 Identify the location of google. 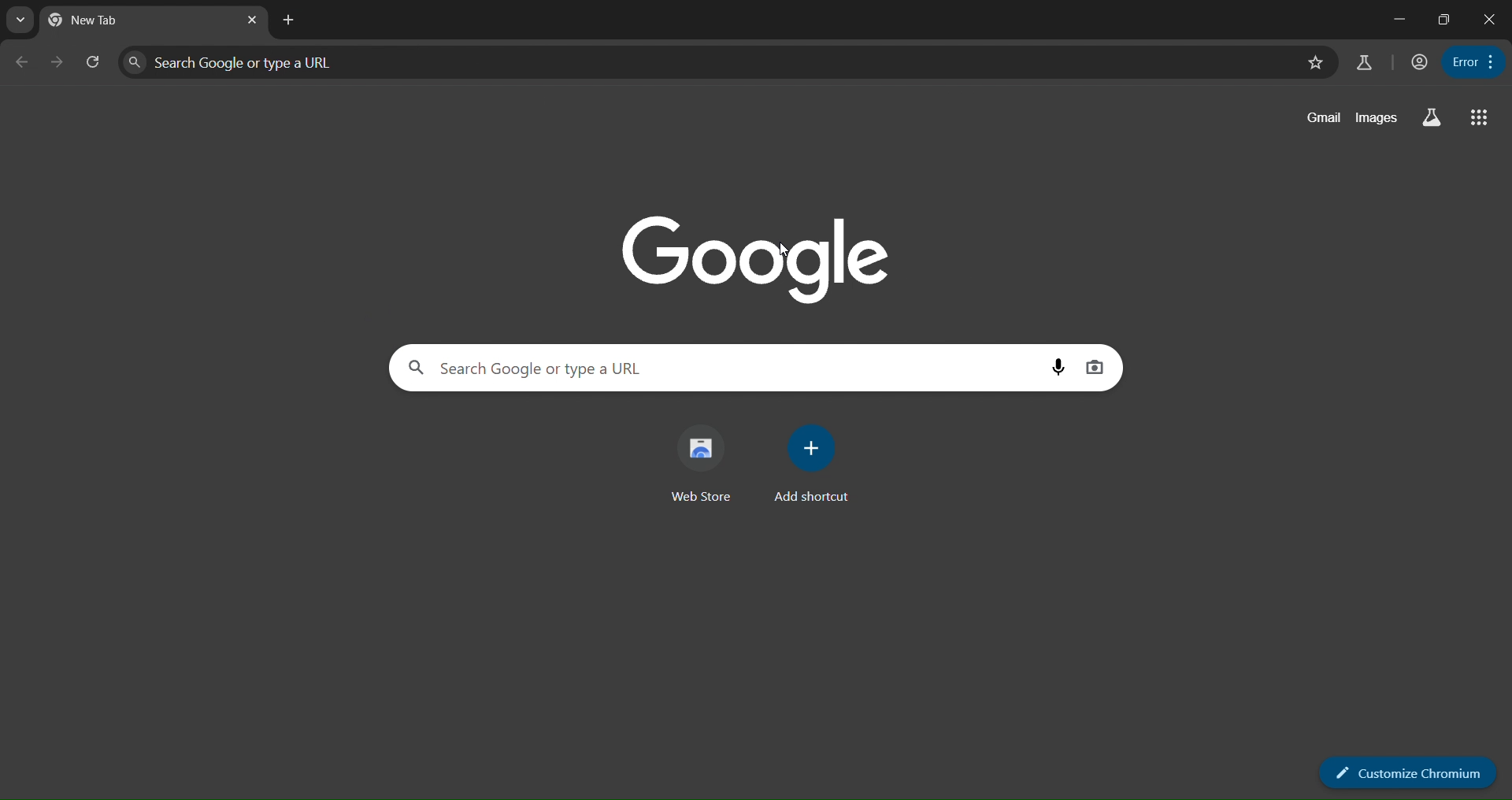
(756, 257).